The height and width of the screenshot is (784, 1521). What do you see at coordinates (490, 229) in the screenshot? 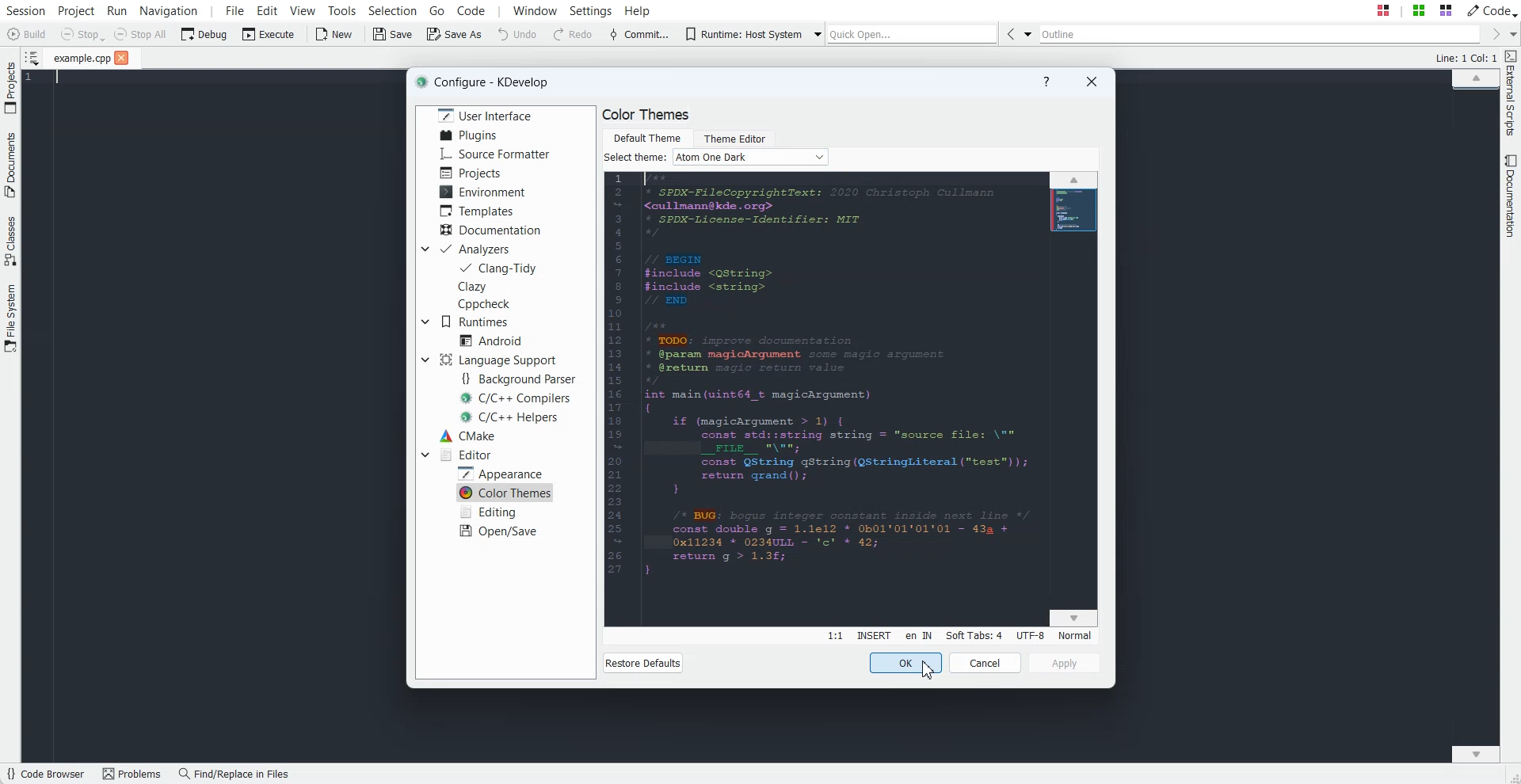
I see `Documentation` at bounding box center [490, 229].